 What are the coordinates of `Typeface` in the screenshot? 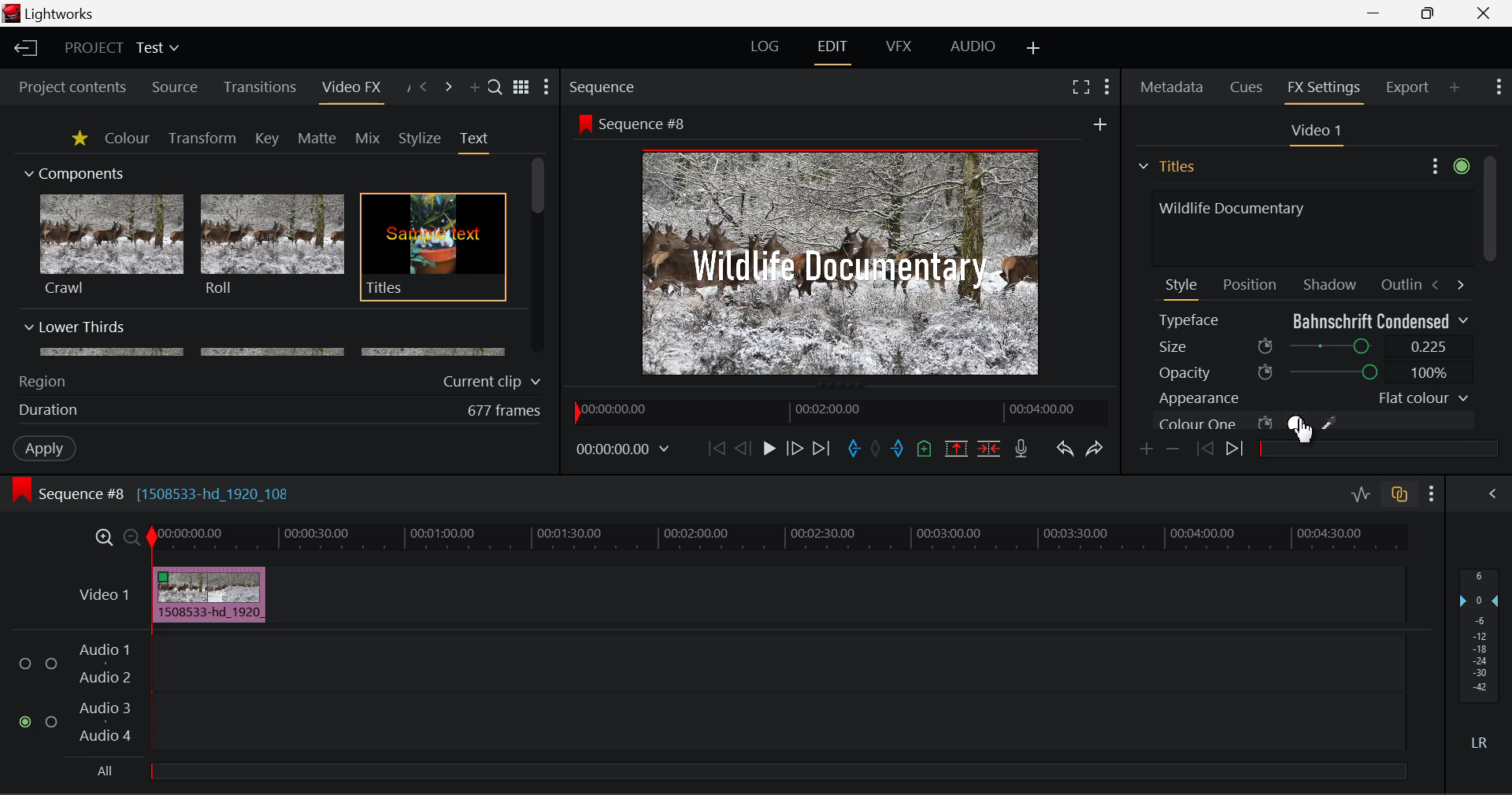 It's located at (1314, 320).